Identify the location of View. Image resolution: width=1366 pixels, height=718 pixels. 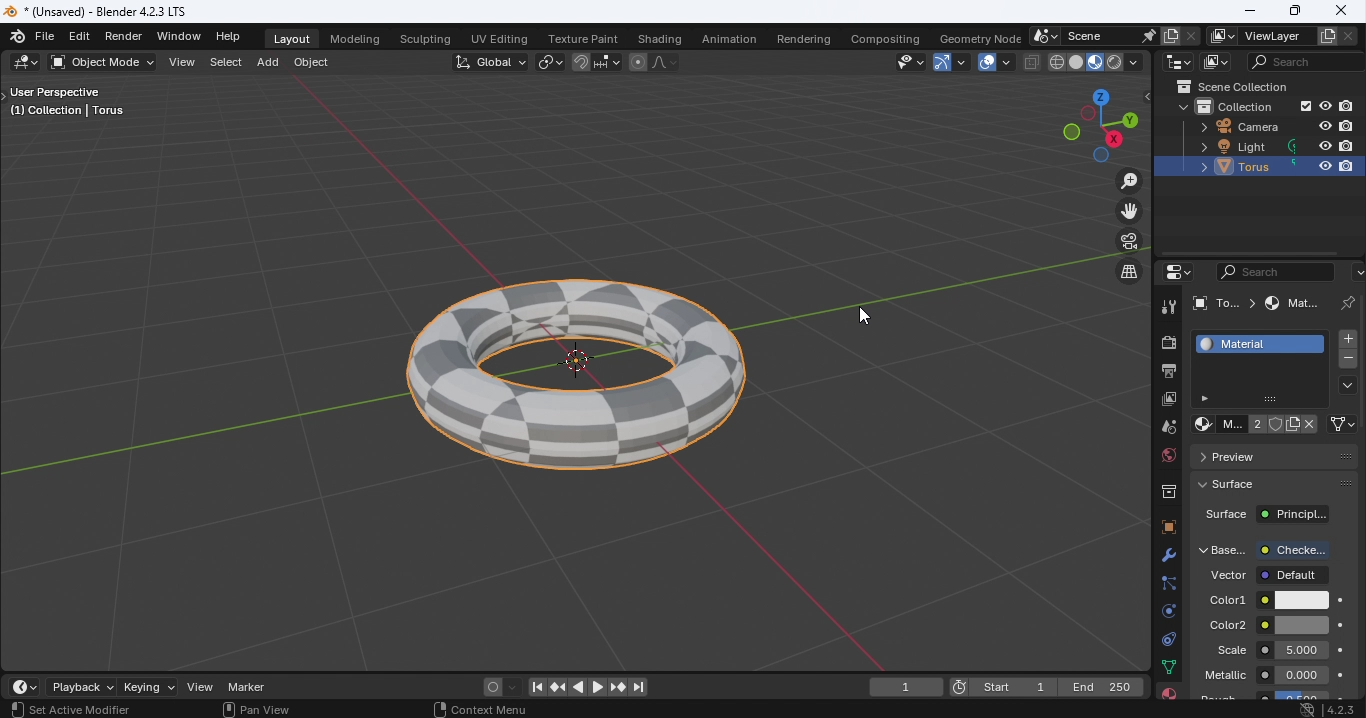
(200, 688).